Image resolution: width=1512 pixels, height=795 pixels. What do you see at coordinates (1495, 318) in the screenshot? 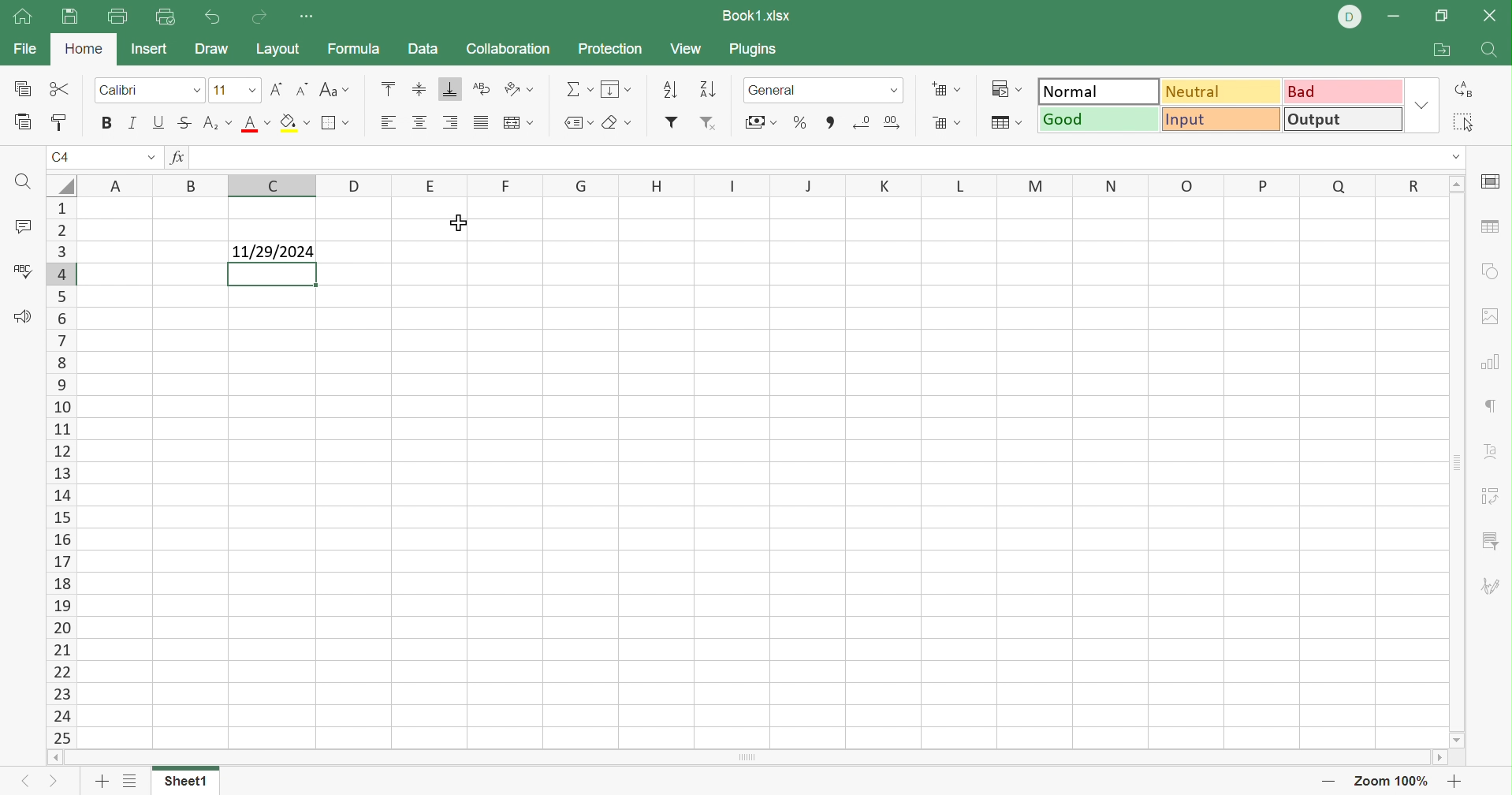
I see `Image settings` at bounding box center [1495, 318].